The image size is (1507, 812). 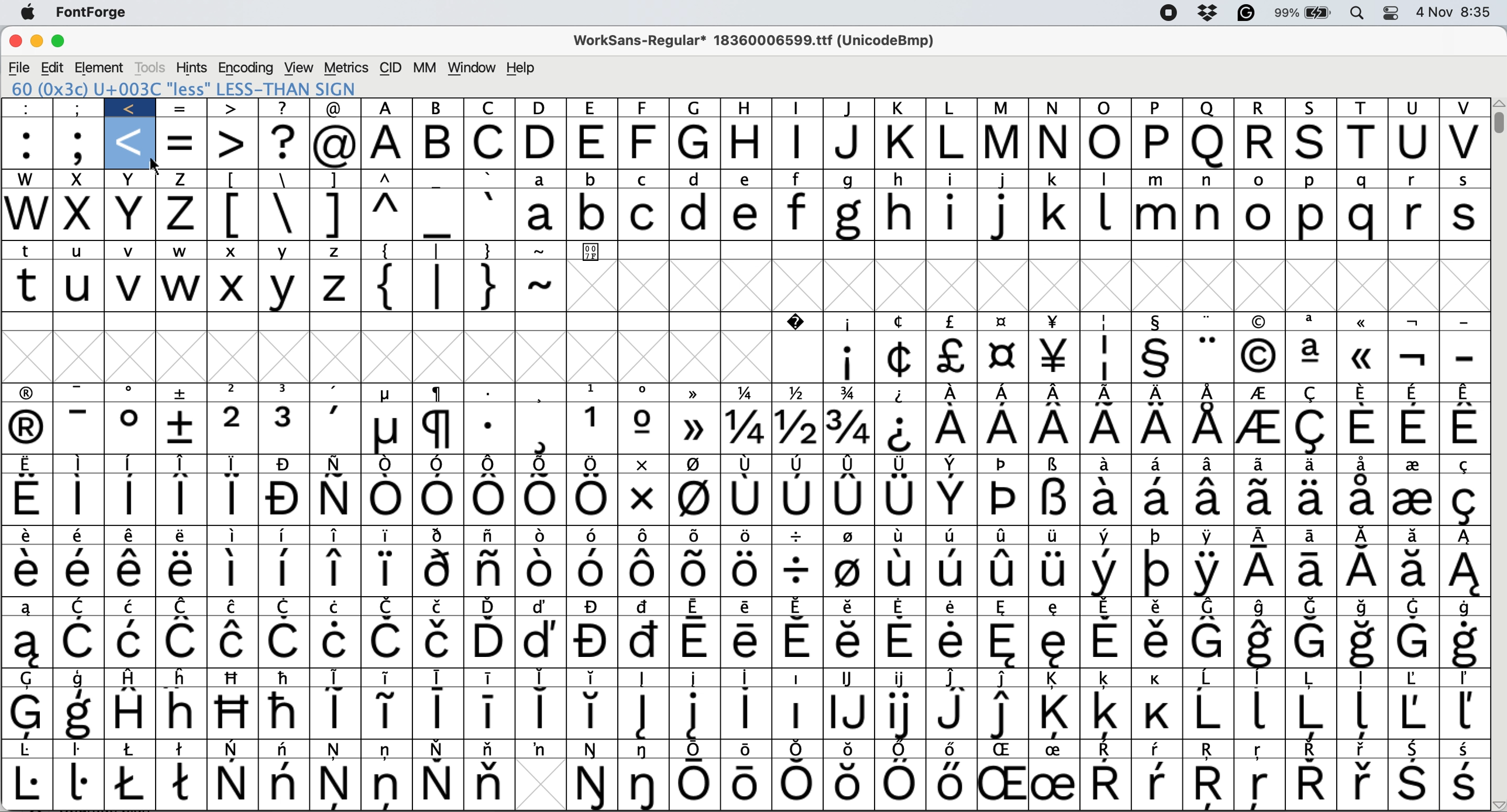 I want to click on Symbol, so click(x=641, y=535).